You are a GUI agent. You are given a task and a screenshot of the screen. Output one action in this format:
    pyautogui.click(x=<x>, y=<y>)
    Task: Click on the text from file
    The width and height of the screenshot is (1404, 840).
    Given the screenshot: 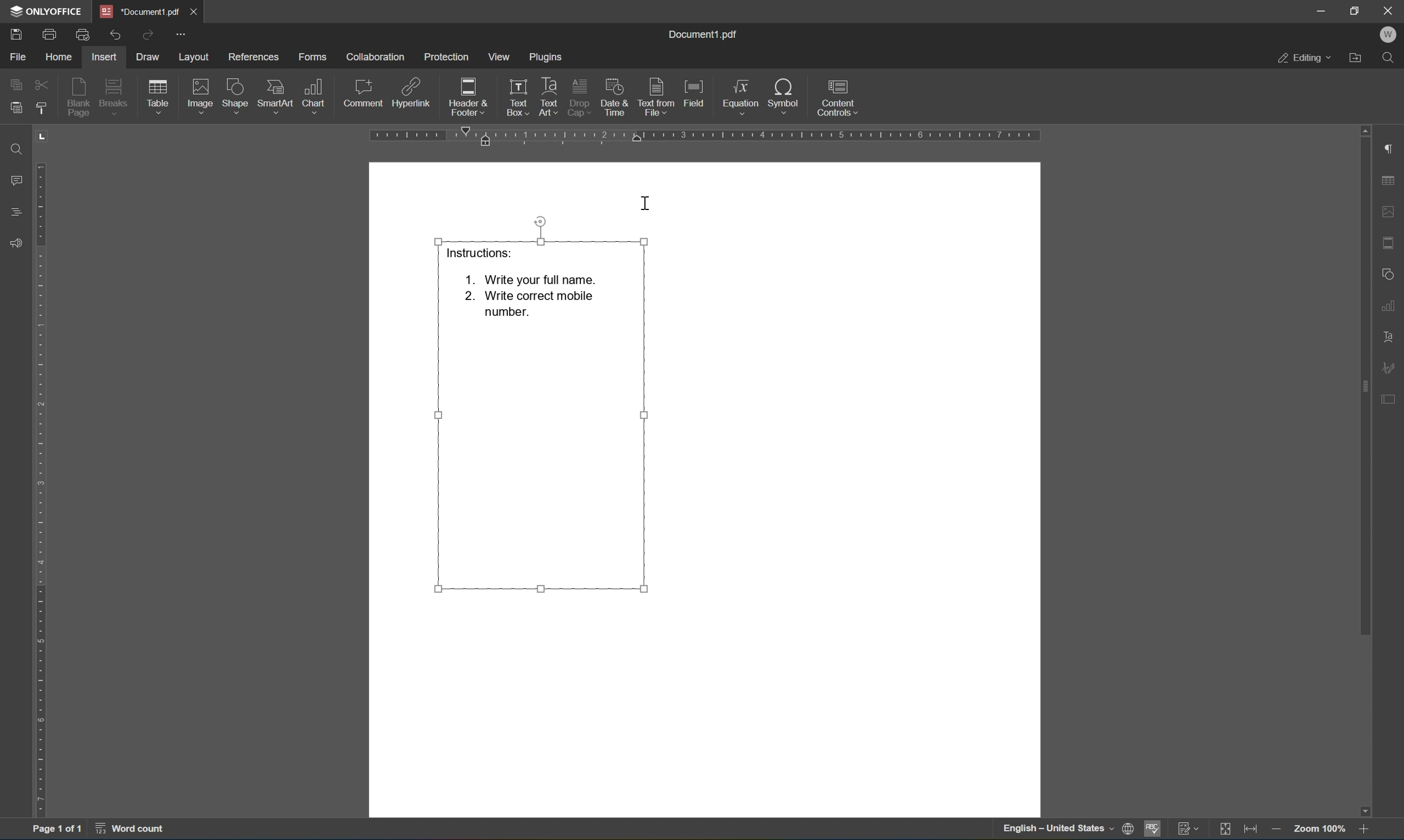 What is the action you would take?
    pyautogui.click(x=658, y=97)
    